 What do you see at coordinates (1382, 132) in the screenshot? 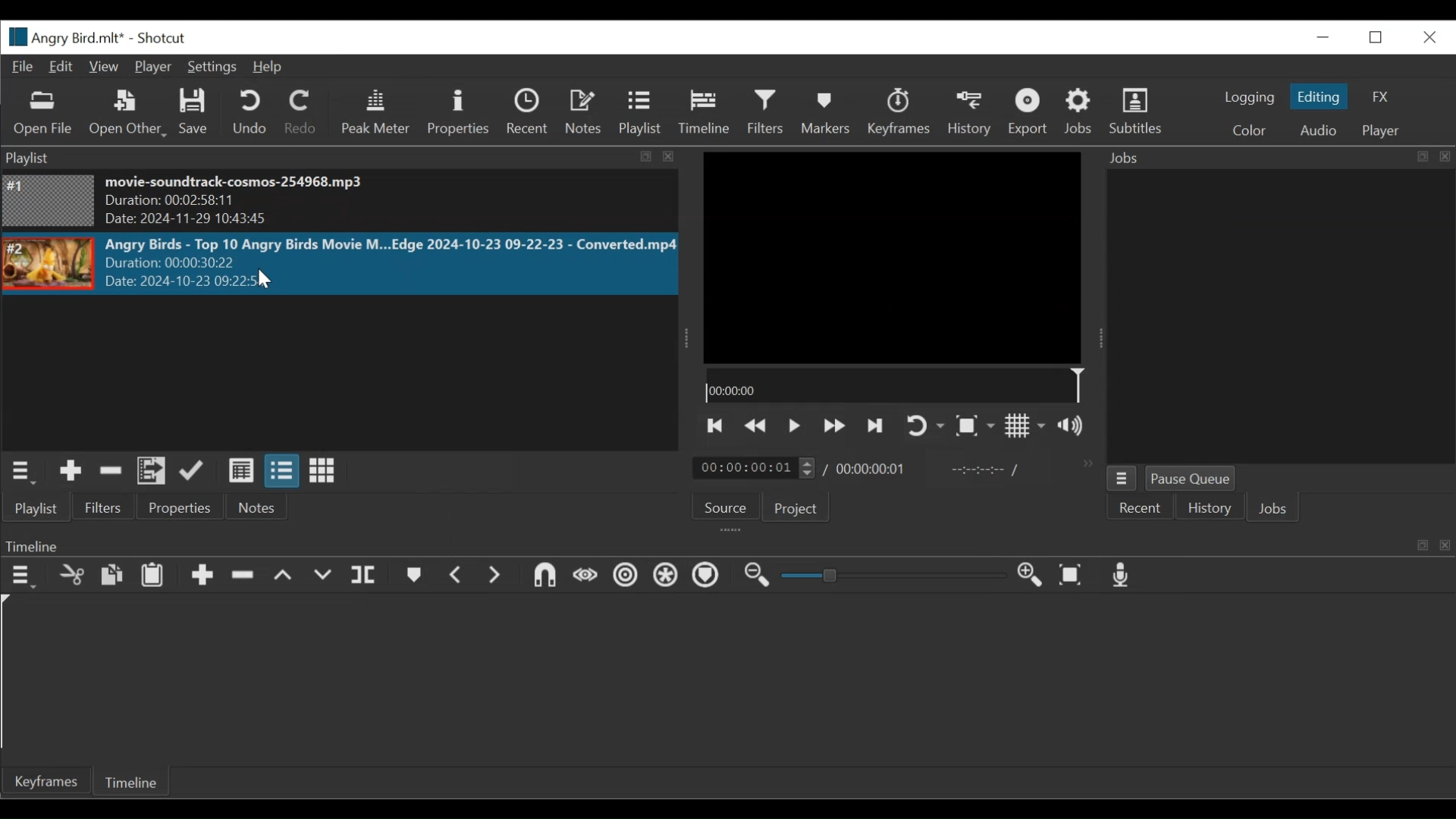
I see `Player` at bounding box center [1382, 132].